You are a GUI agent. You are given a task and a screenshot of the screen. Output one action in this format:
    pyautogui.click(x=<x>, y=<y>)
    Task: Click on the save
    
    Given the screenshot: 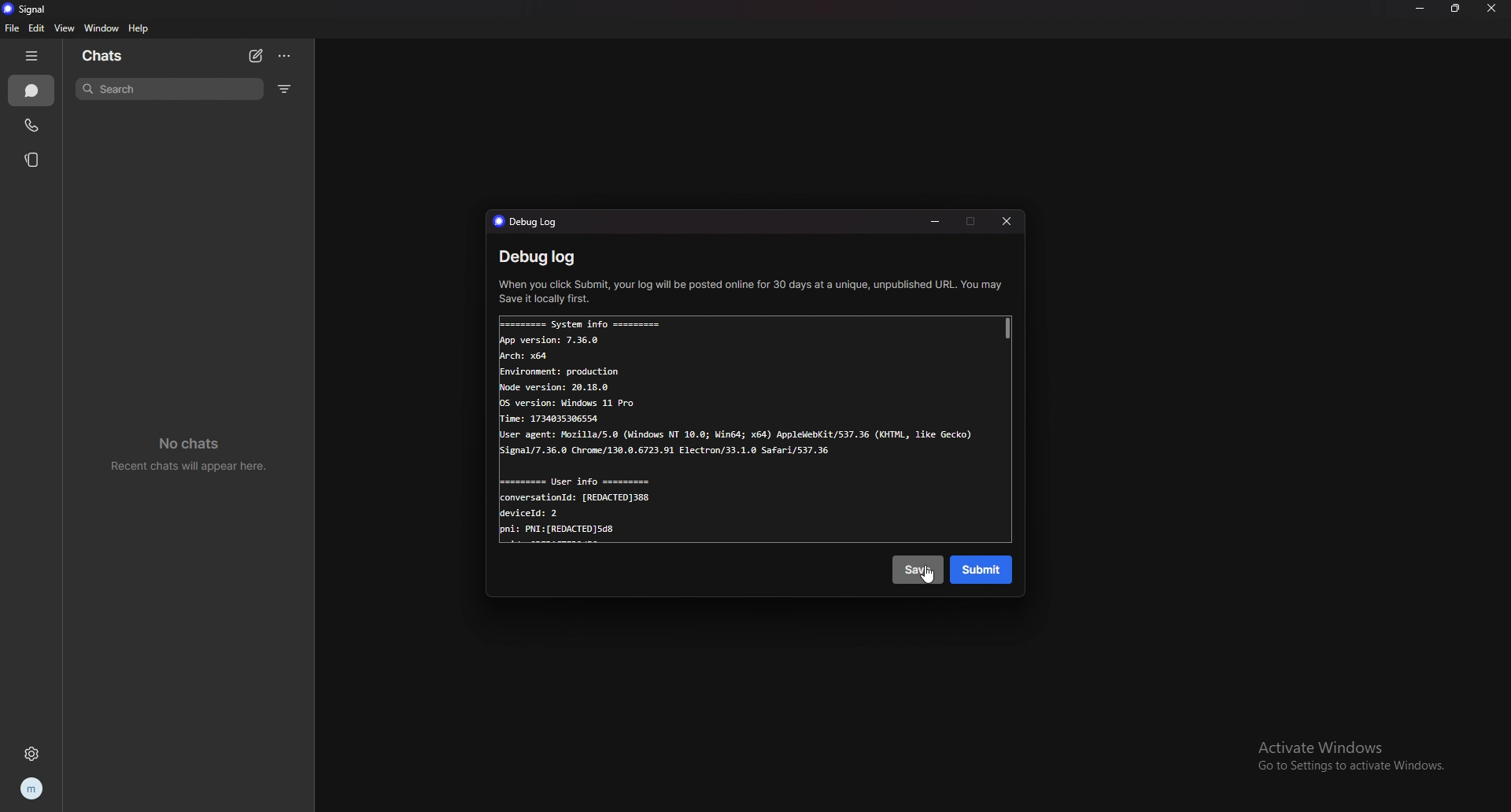 What is the action you would take?
    pyautogui.click(x=916, y=570)
    